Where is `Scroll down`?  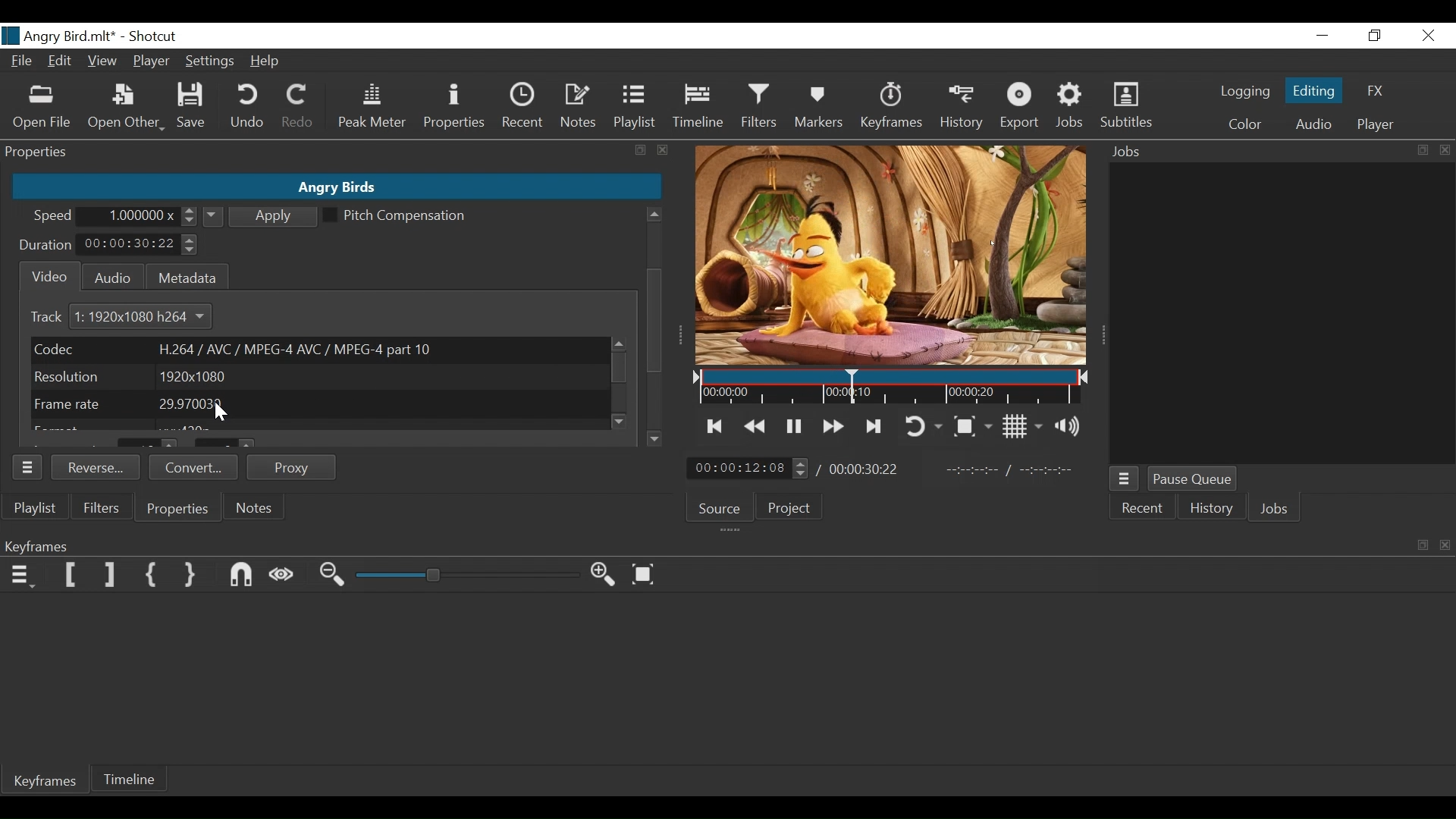 Scroll down is located at coordinates (654, 438).